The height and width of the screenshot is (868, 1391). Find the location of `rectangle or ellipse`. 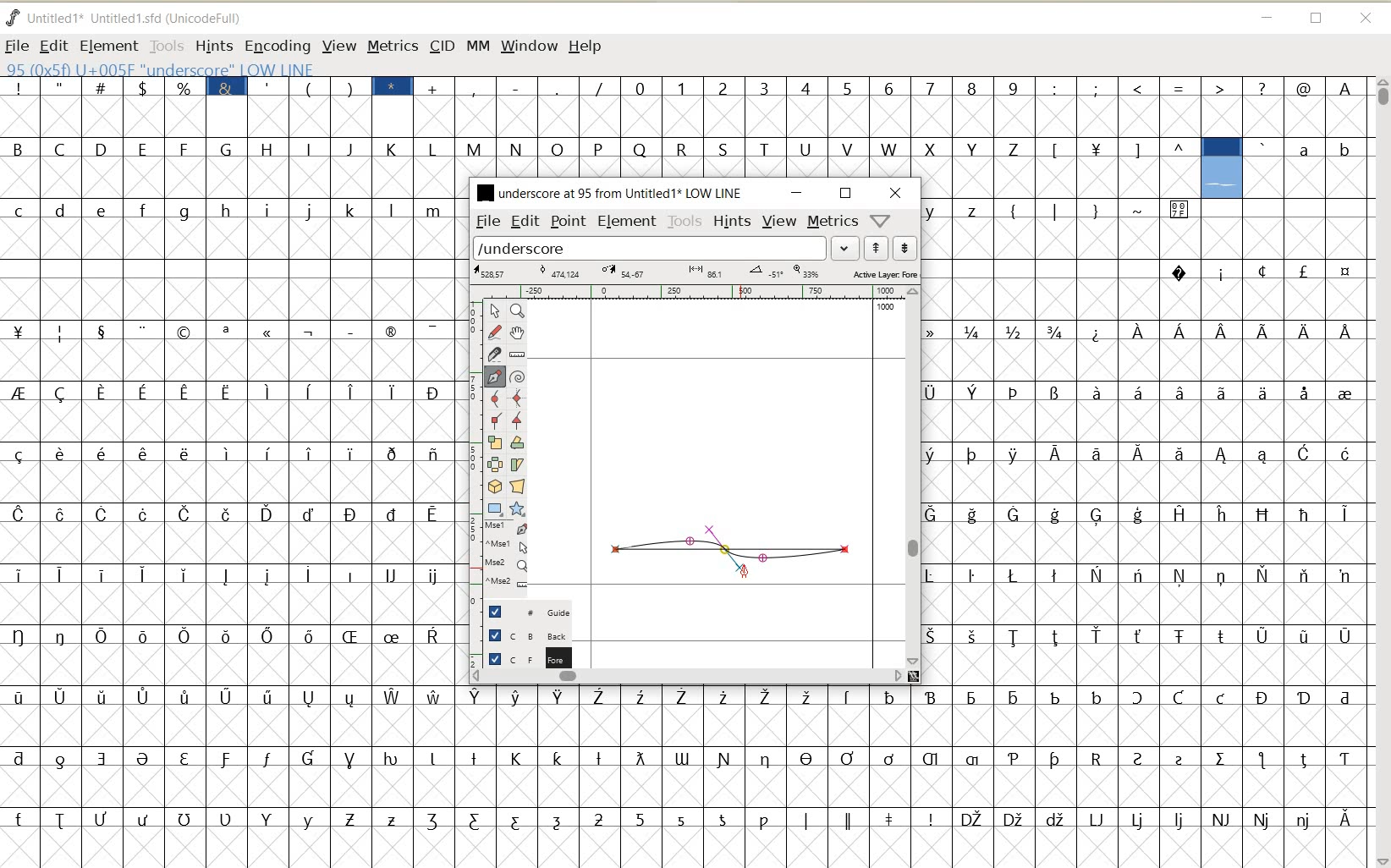

rectangle or ellipse is located at coordinates (496, 508).